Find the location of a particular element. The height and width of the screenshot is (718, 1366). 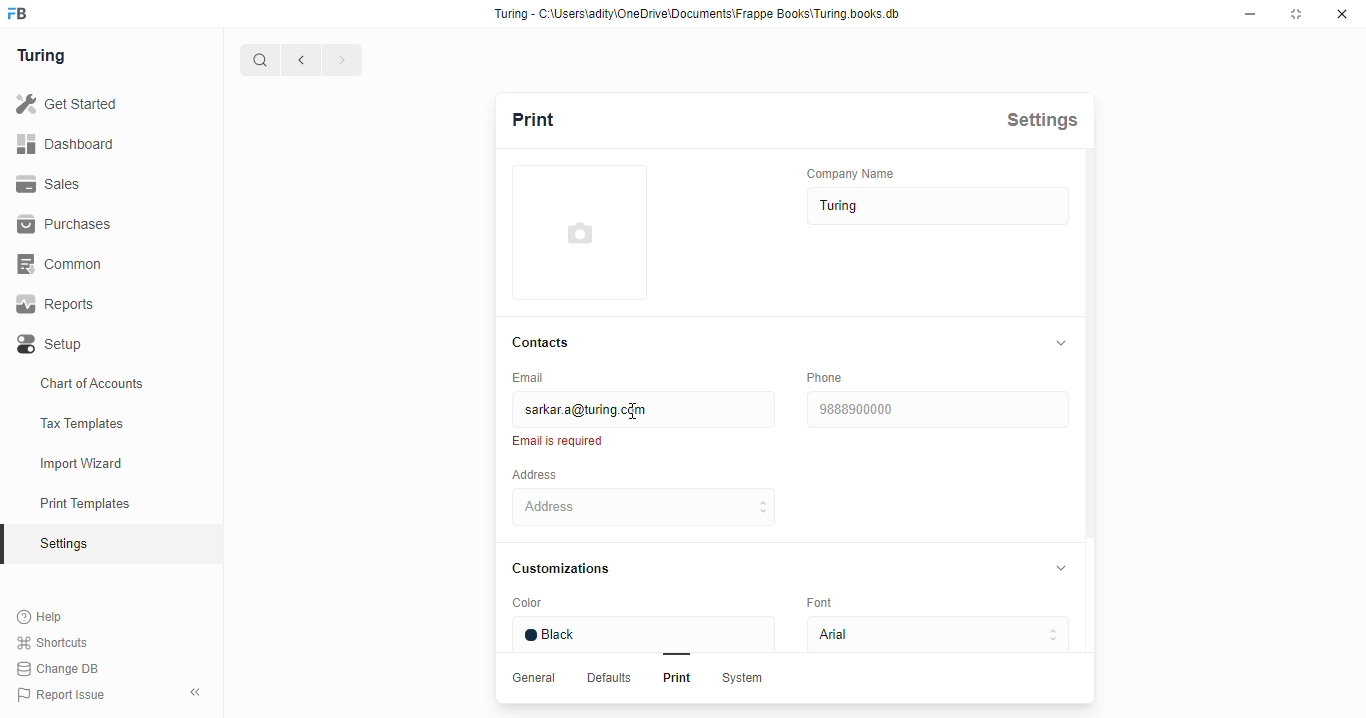

Email is located at coordinates (537, 377).